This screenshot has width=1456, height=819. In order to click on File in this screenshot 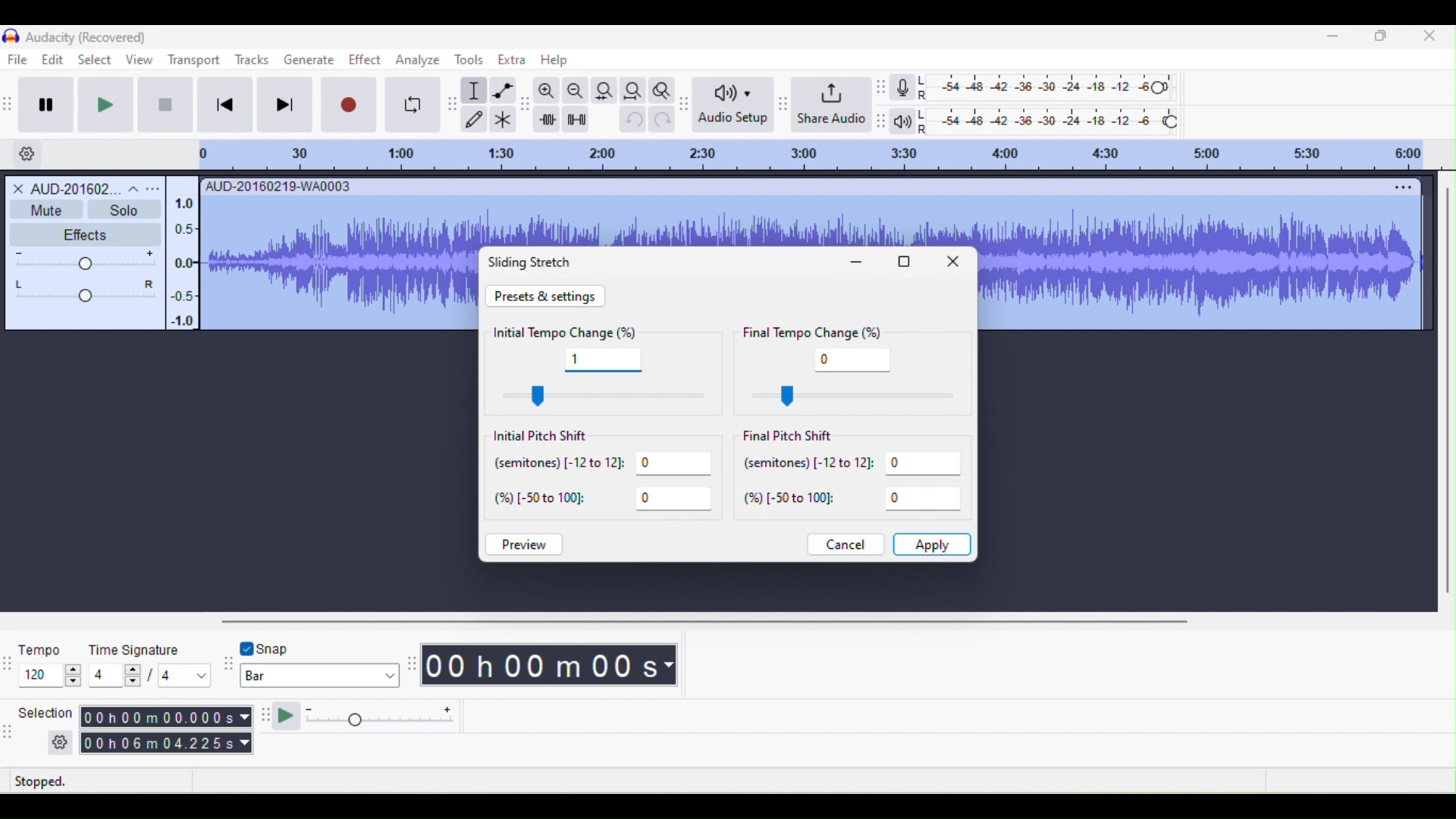, I will do `click(19, 59)`.